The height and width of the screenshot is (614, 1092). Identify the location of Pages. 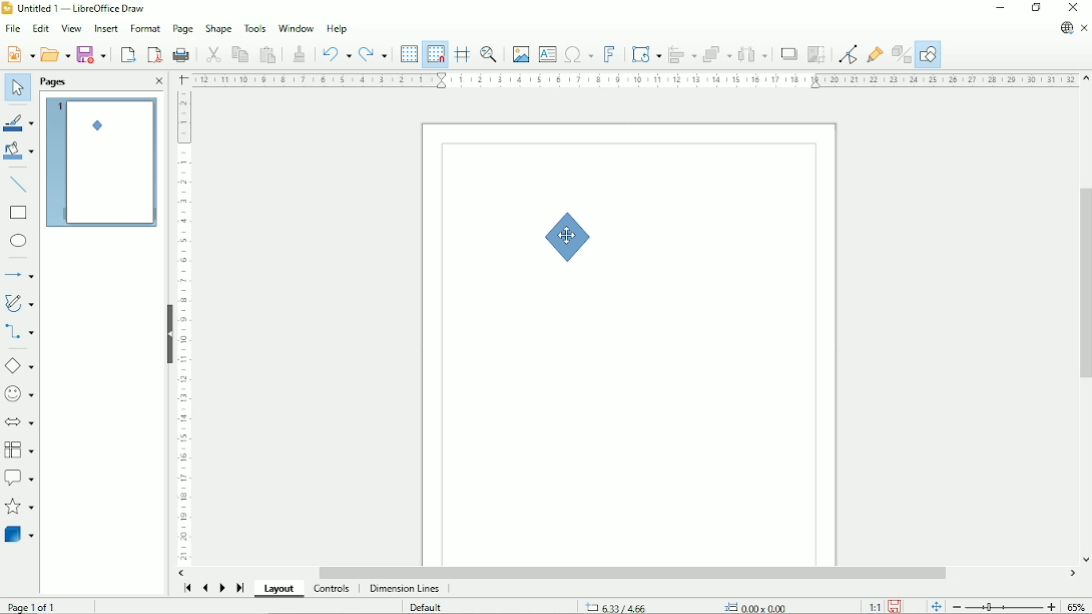
(55, 82).